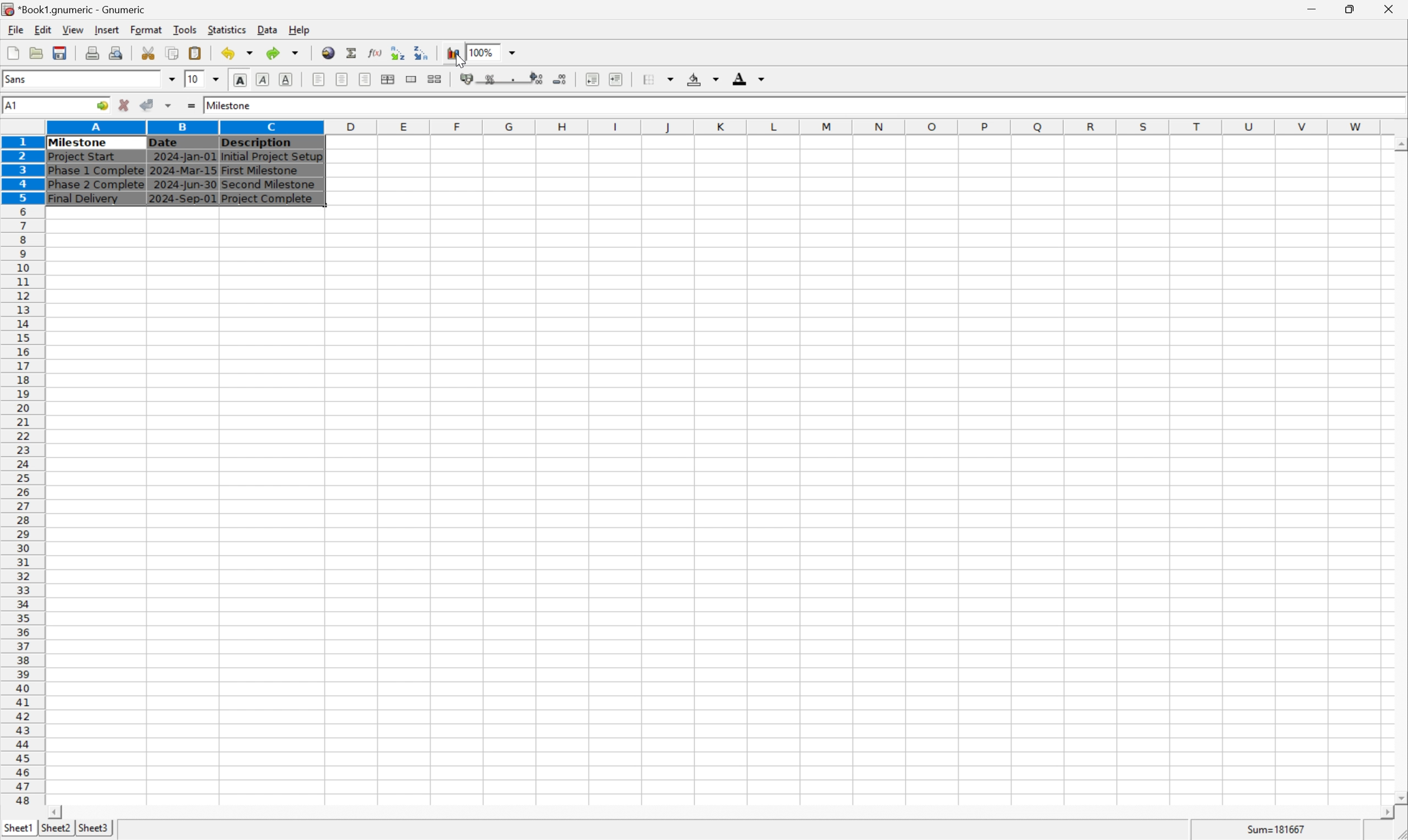  Describe the element at coordinates (128, 106) in the screenshot. I see `cancel changes` at that location.